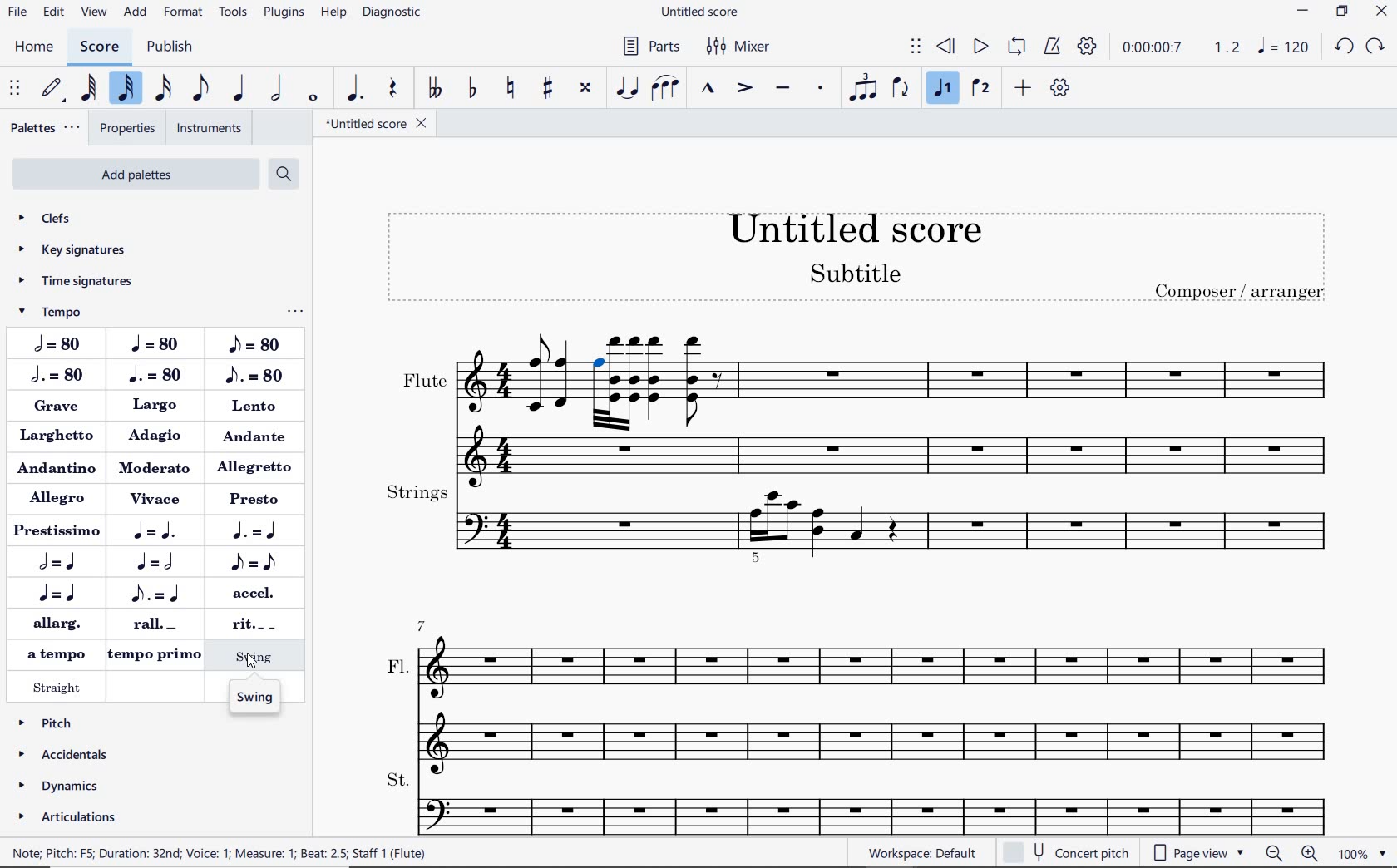 Image resolution: width=1397 pixels, height=868 pixels. What do you see at coordinates (154, 467) in the screenshot?
I see `MODERATO` at bounding box center [154, 467].